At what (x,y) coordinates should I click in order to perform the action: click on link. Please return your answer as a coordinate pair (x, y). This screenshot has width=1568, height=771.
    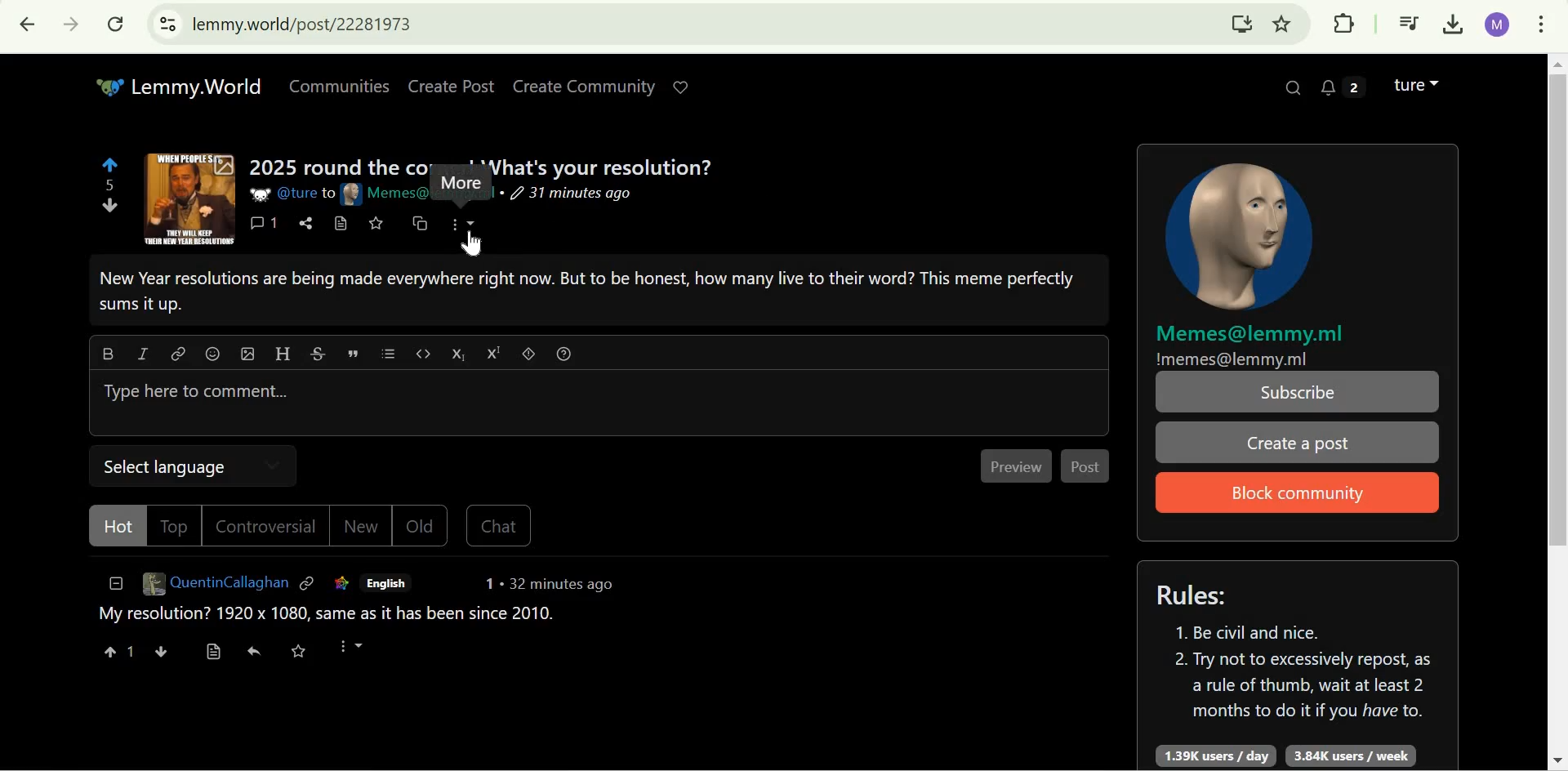
    Looking at the image, I should click on (343, 582).